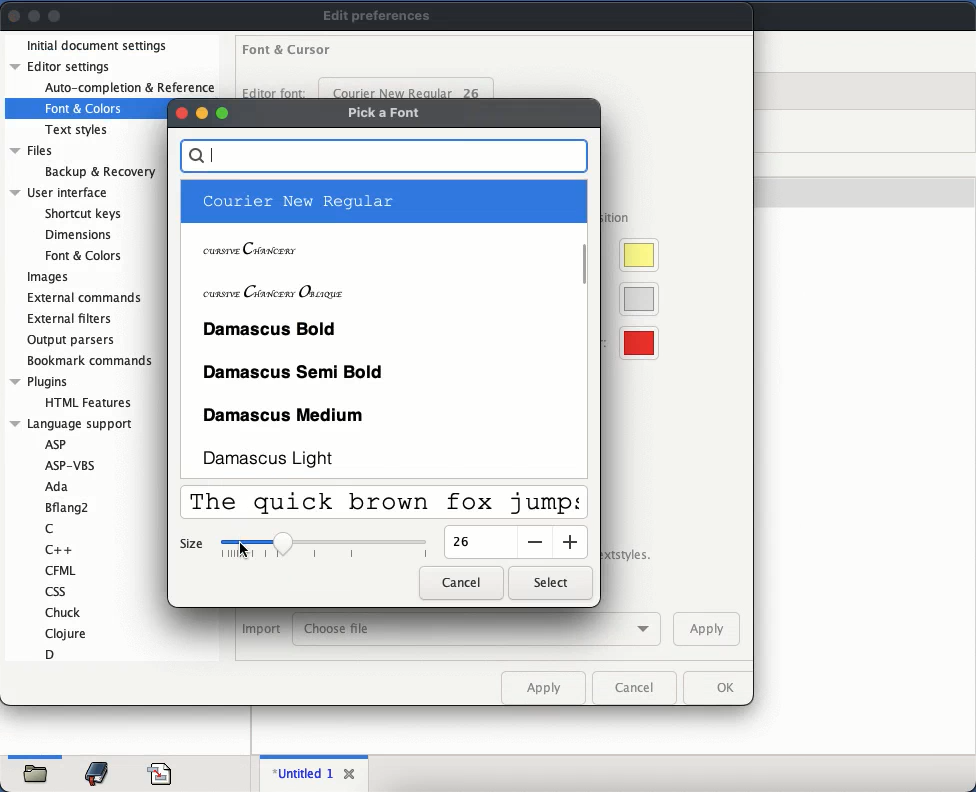  Describe the element at coordinates (67, 507) in the screenshot. I see `Bflang2` at that location.